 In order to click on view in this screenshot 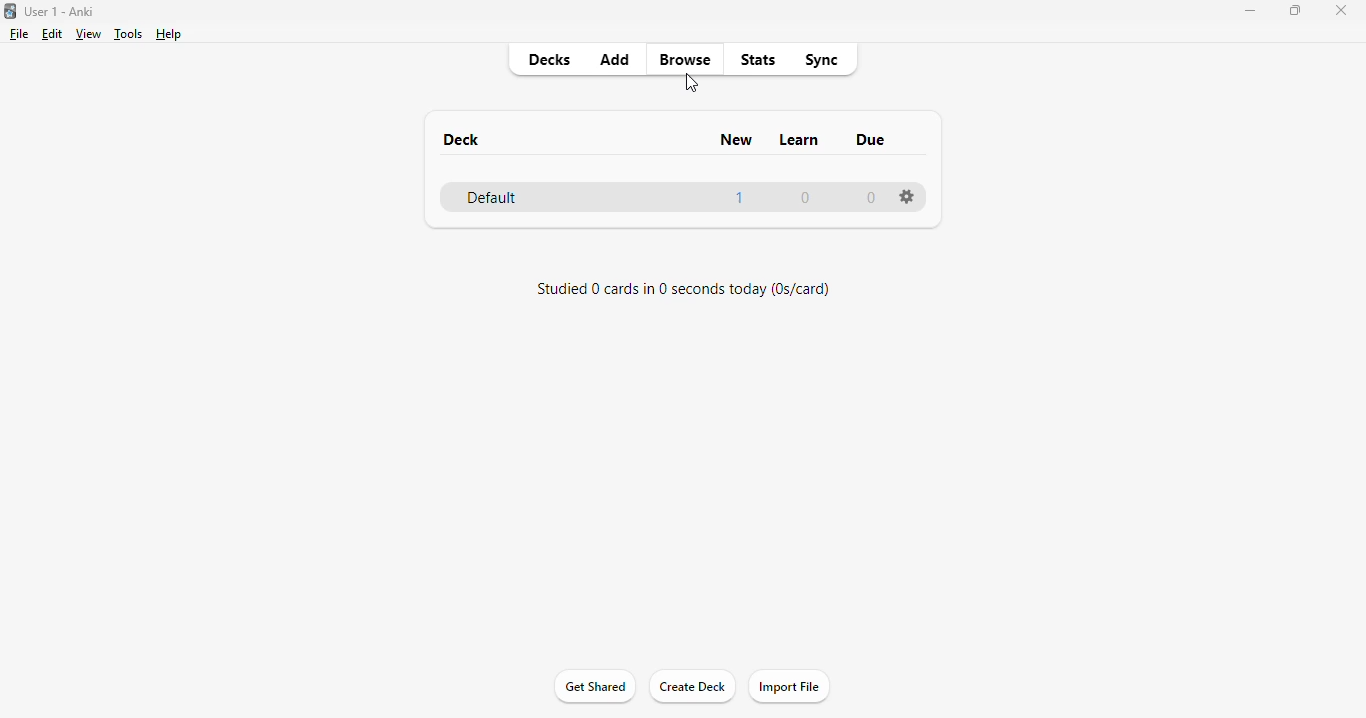, I will do `click(88, 33)`.